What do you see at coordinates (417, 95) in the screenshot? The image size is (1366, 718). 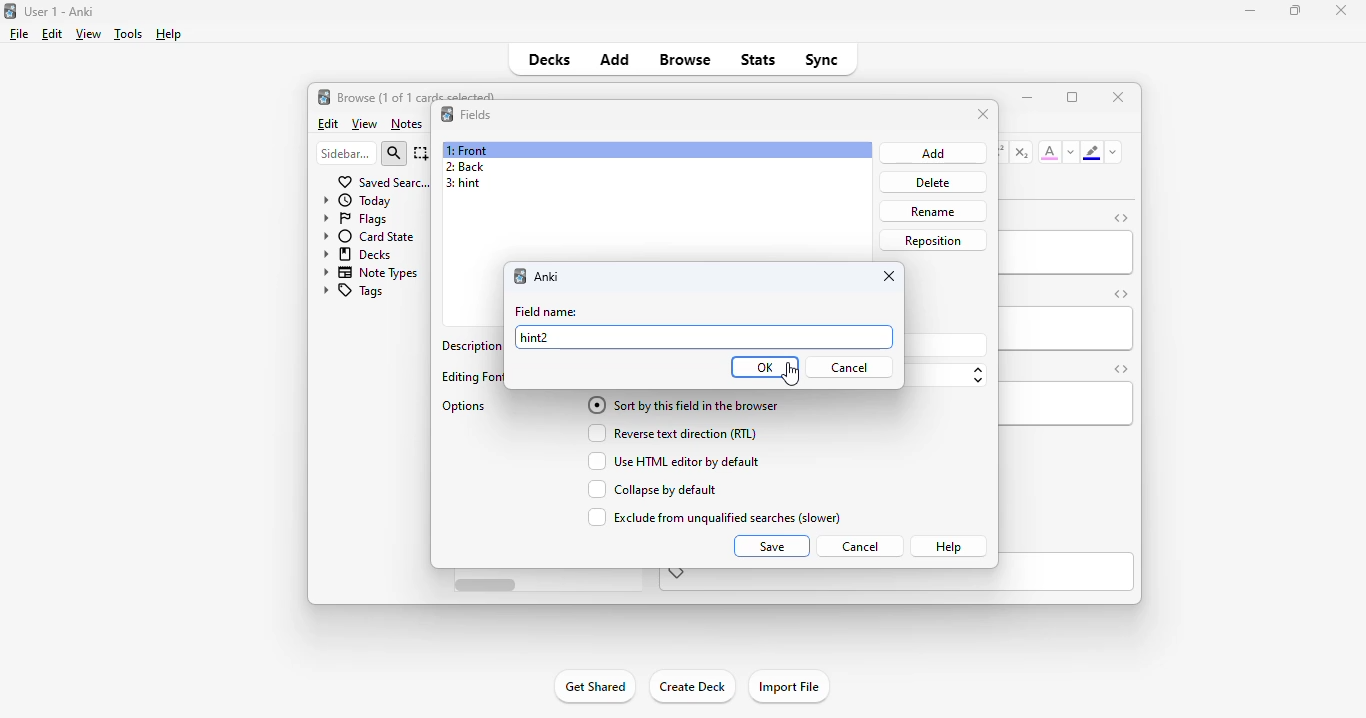 I see `browse (1 of 1 cards selected)` at bounding box center [417, 95].